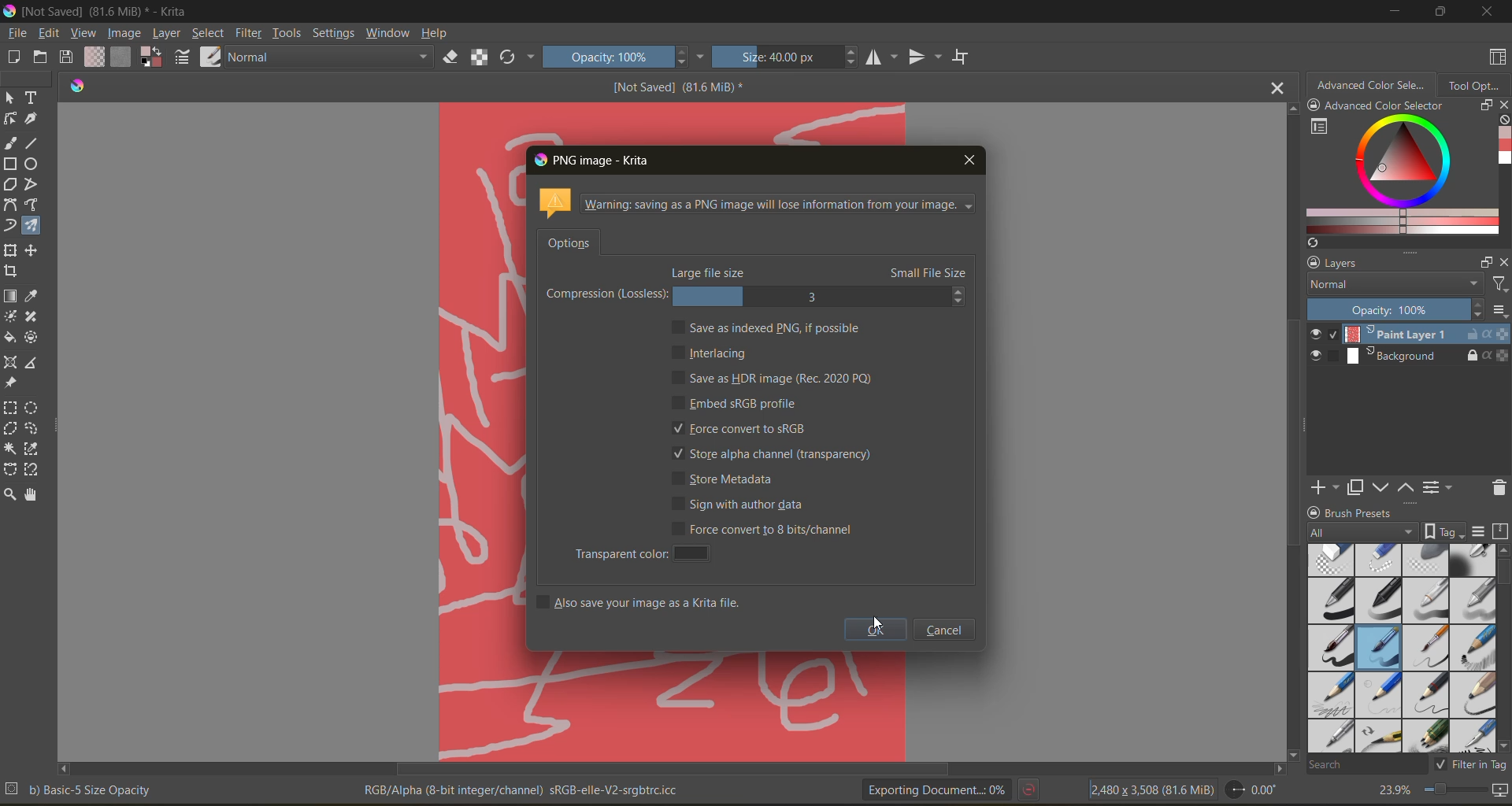 The width and height of the screenshot is (1512, 806). Describe the element at coordinates (9, 408) in the screenshot. I see `tool` at that location.